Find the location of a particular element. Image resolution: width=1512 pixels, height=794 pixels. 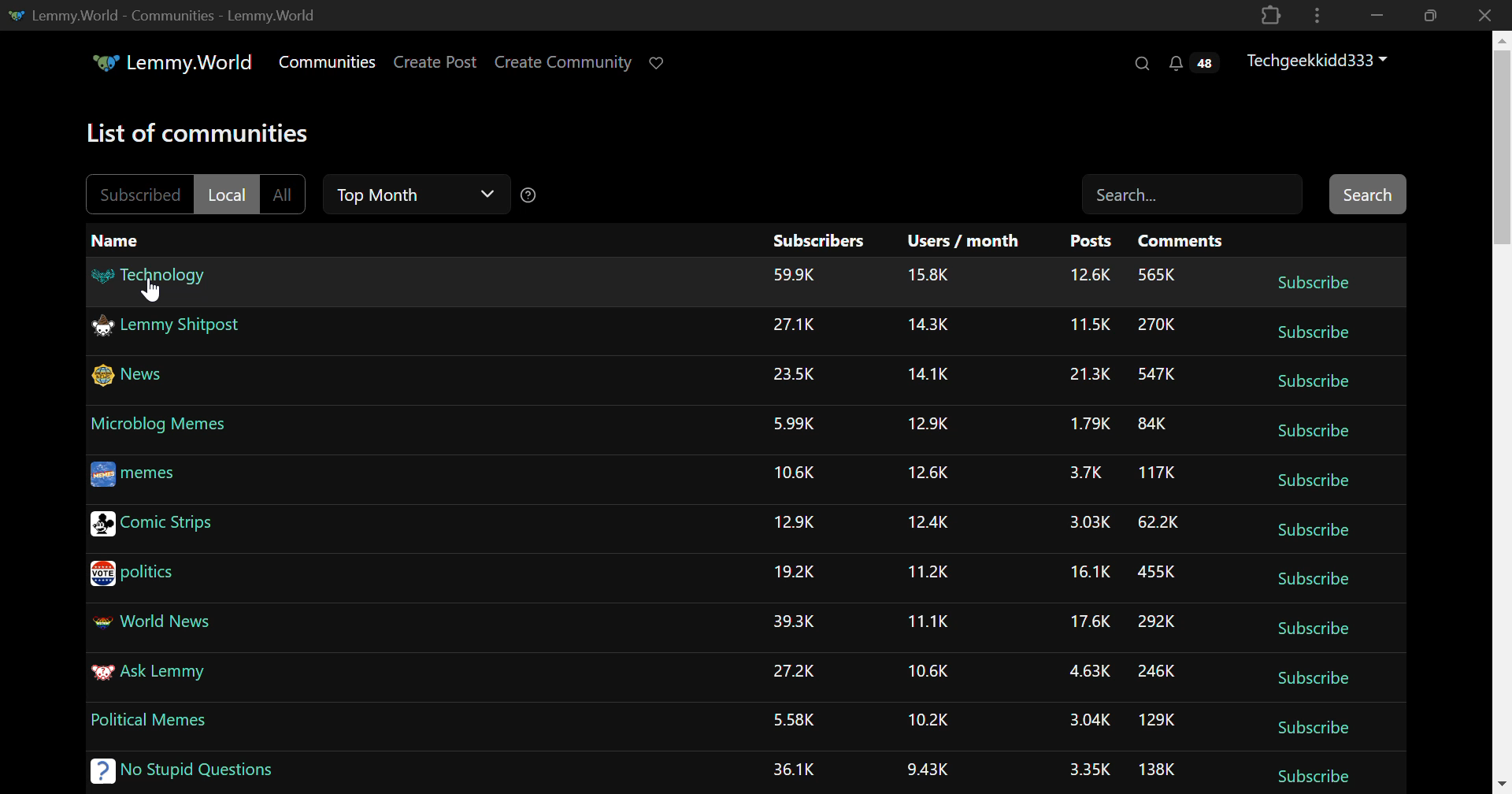

138K is located at coordinates (1156, 773).